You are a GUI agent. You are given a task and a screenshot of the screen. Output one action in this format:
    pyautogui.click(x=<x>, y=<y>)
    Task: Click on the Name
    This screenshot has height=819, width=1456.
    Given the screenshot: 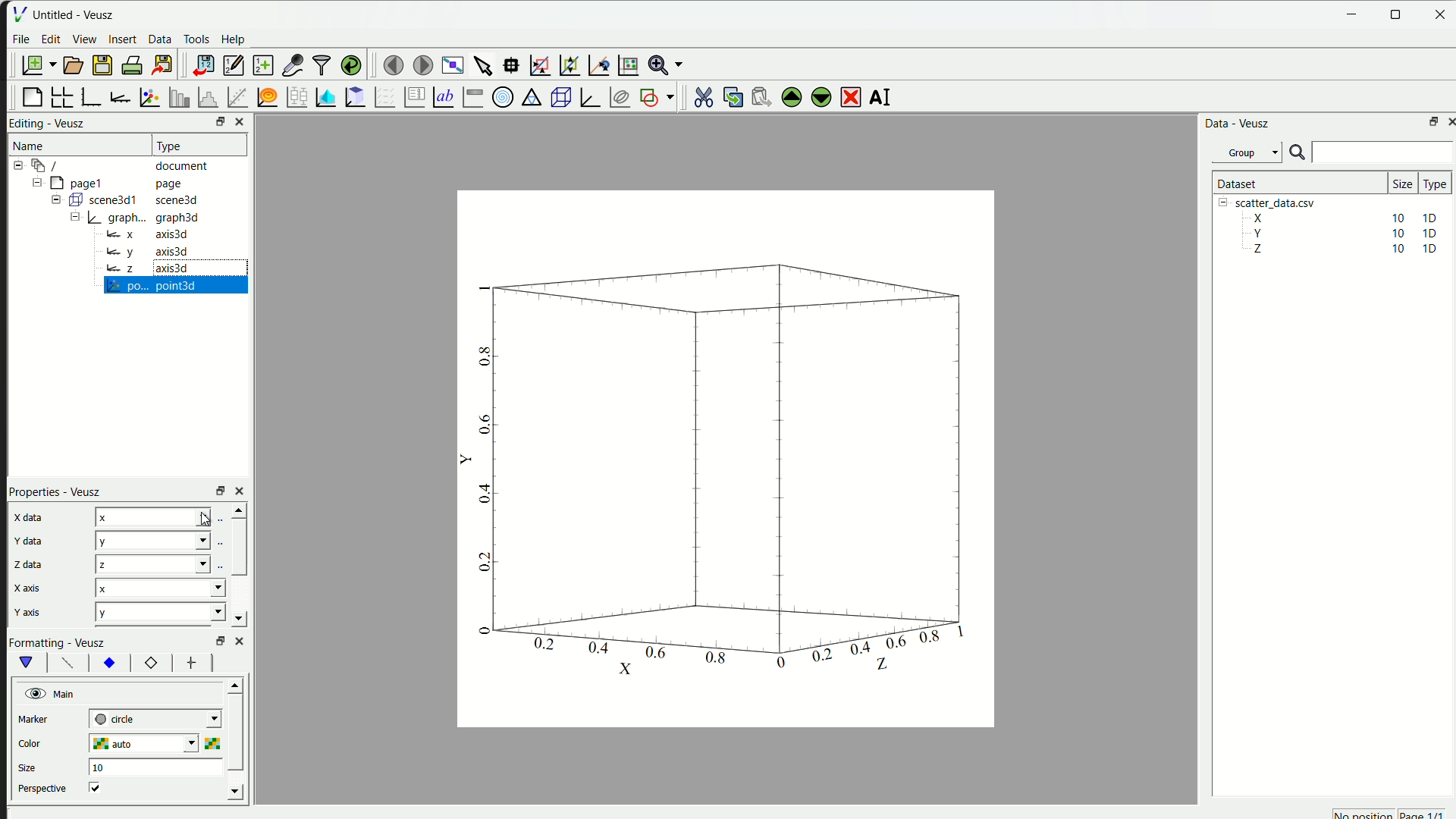 What is the action you would take?
    pyautogui.click(x=30, y=143)
    